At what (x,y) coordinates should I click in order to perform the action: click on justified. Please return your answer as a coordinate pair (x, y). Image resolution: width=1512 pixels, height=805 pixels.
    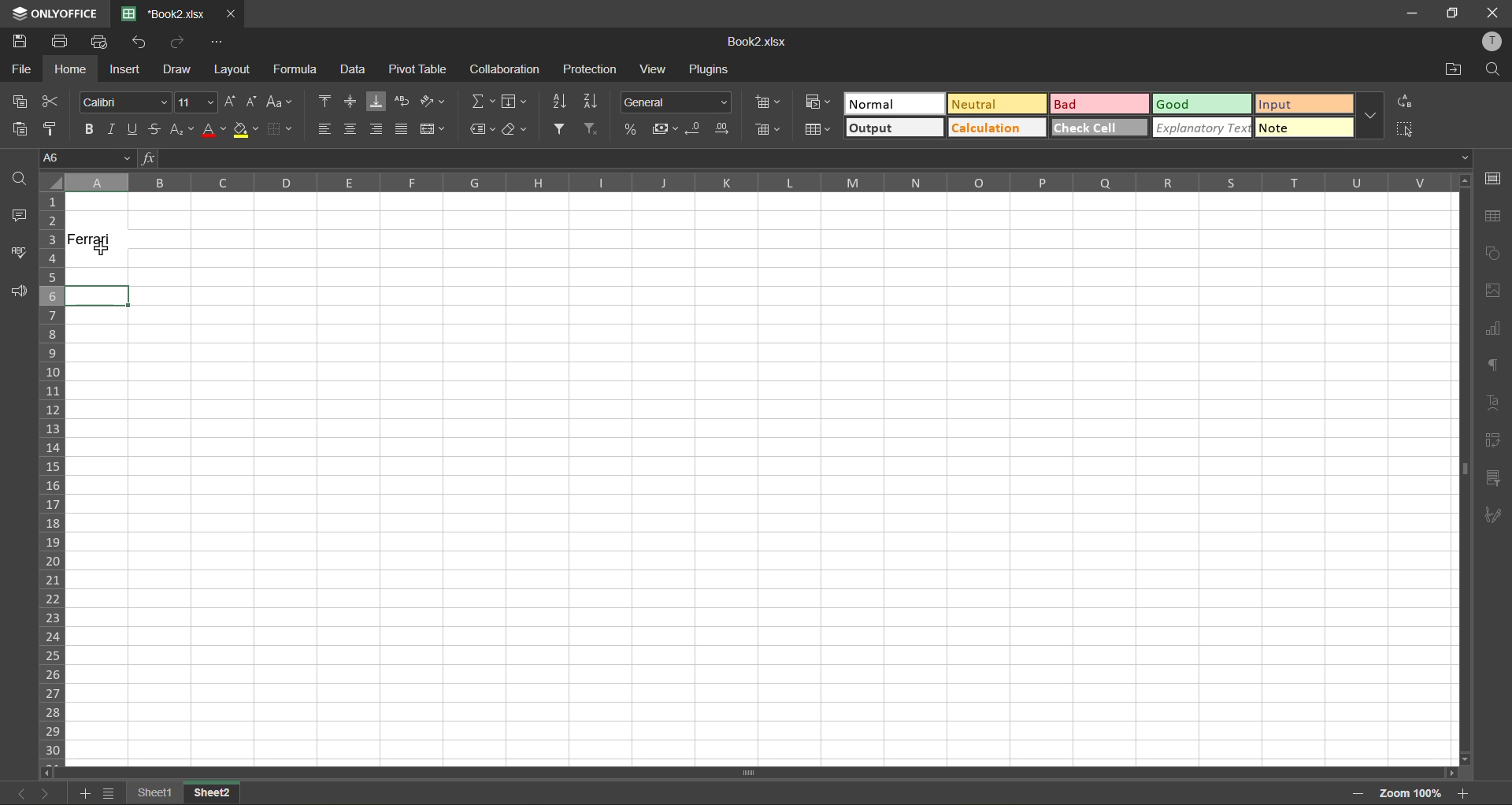
    Looking at the image, I should click on (399, 130).